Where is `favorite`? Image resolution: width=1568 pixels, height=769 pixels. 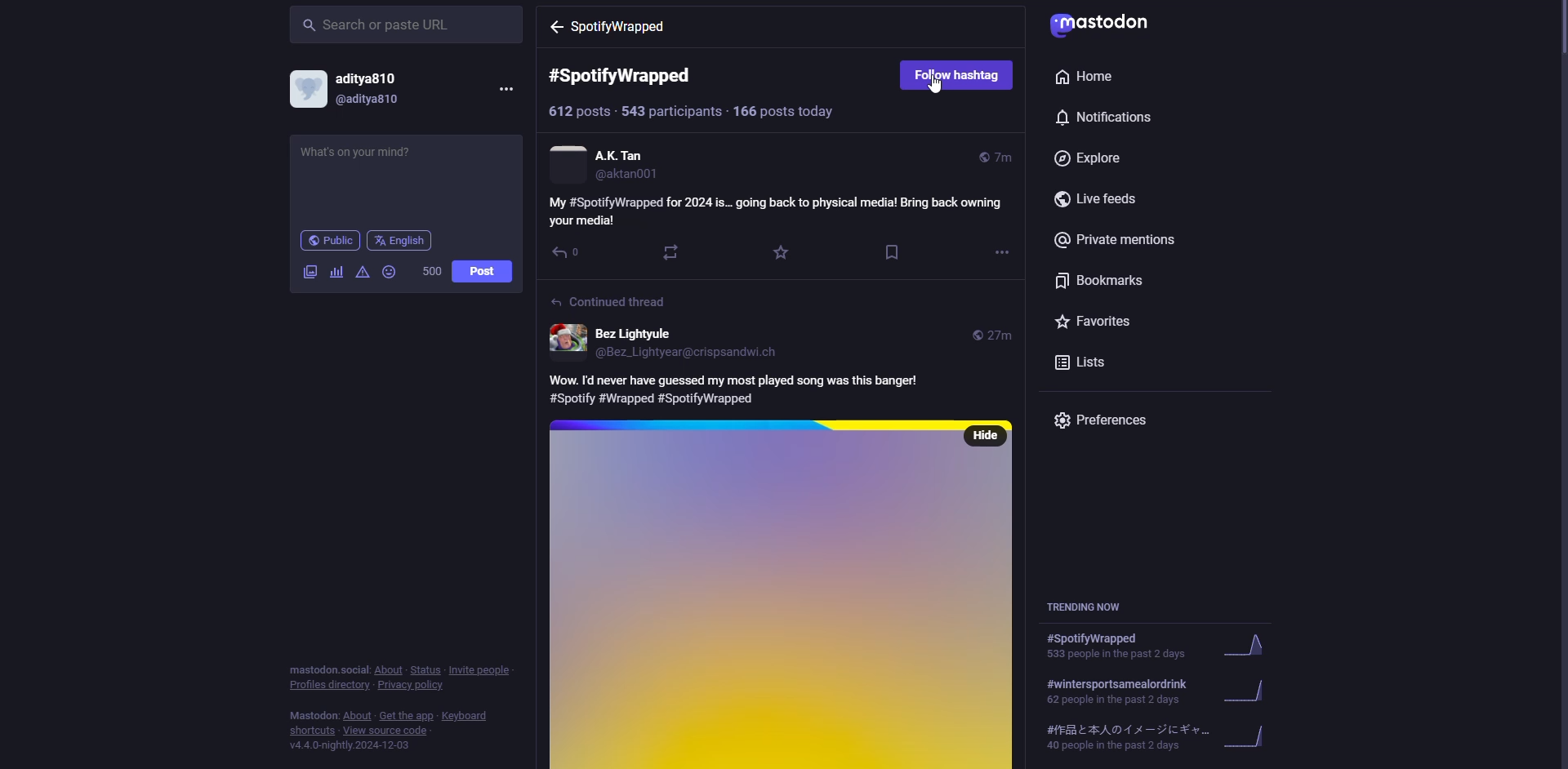
favorite is located at coordinates (782, 253).